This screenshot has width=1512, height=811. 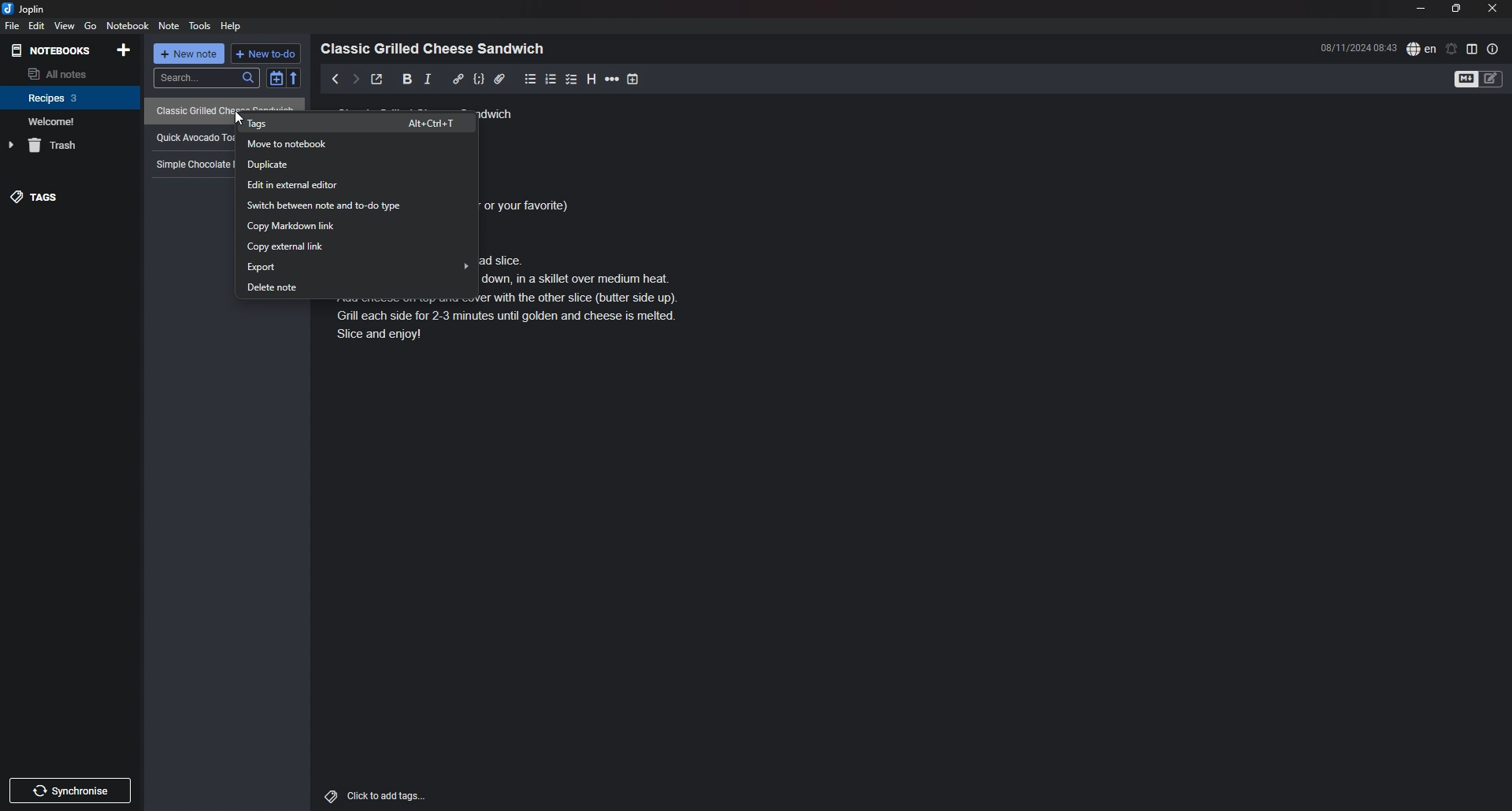 What do you see at coordinates (1473, 49) in the screenshot?
I see `toggle editor layout` at bounding box center [1473, 49].